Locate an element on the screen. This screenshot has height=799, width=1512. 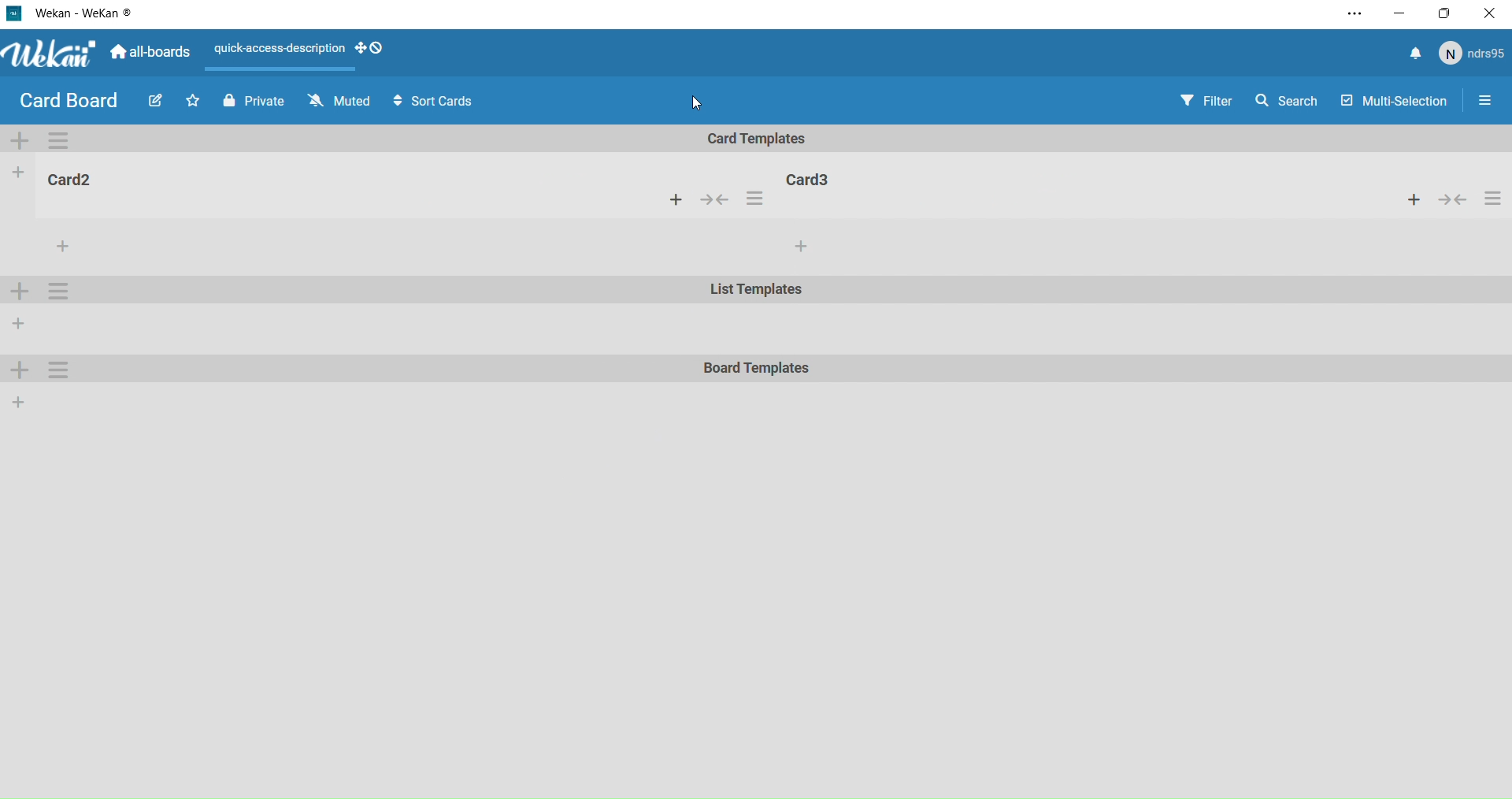
add is located at coordinates (681, 203).